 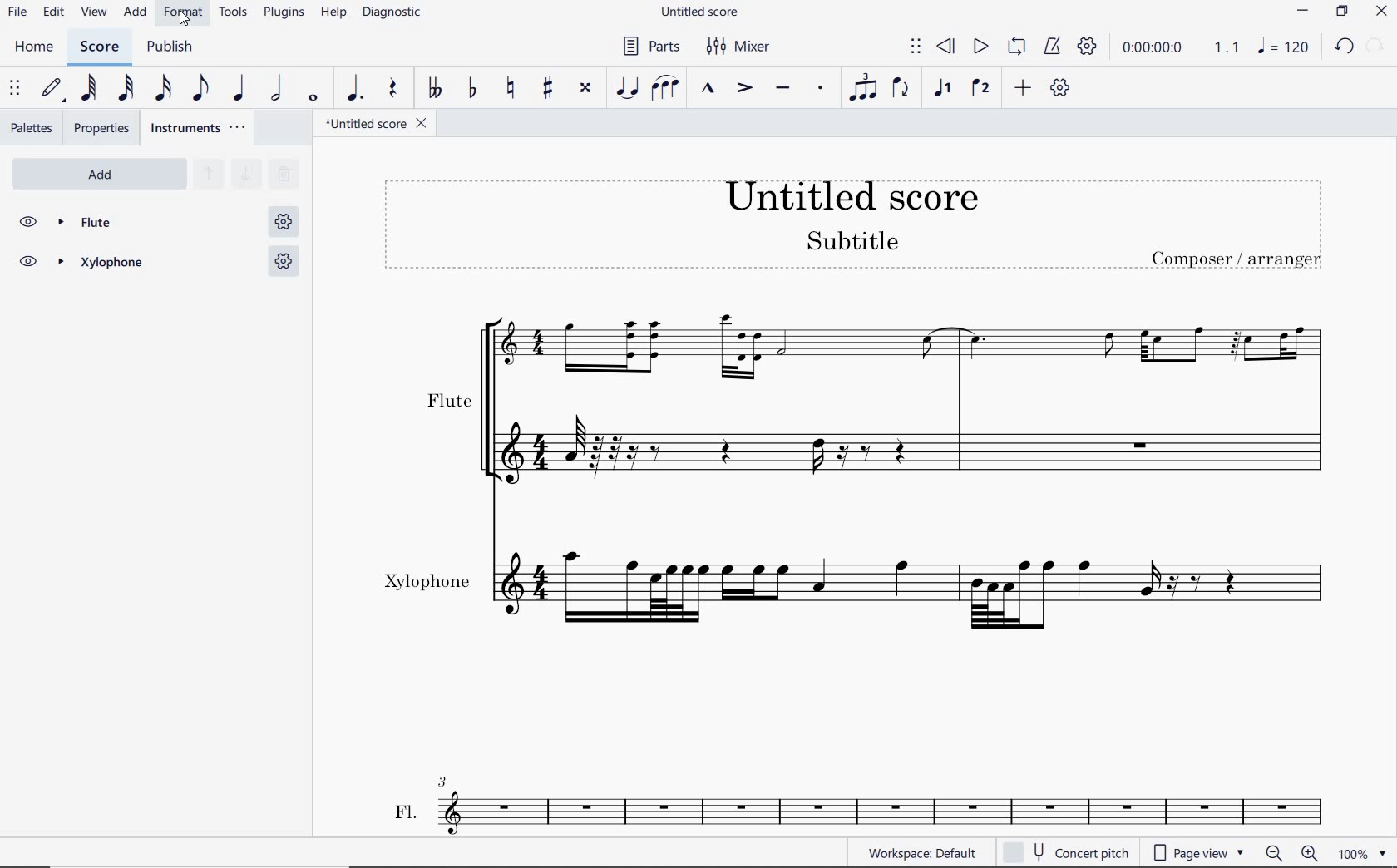 I want to click on FLUTE, so click(x=860, y=394).